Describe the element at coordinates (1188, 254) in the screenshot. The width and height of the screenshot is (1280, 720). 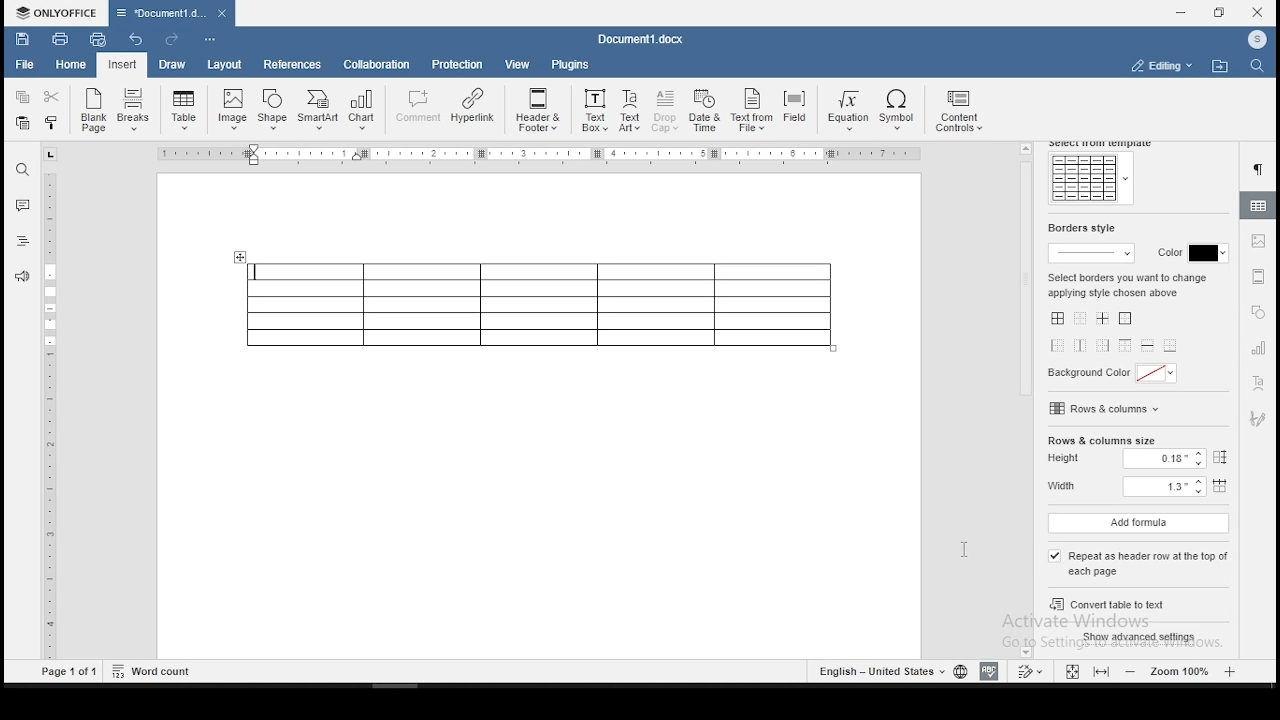
I see `color` at that location.